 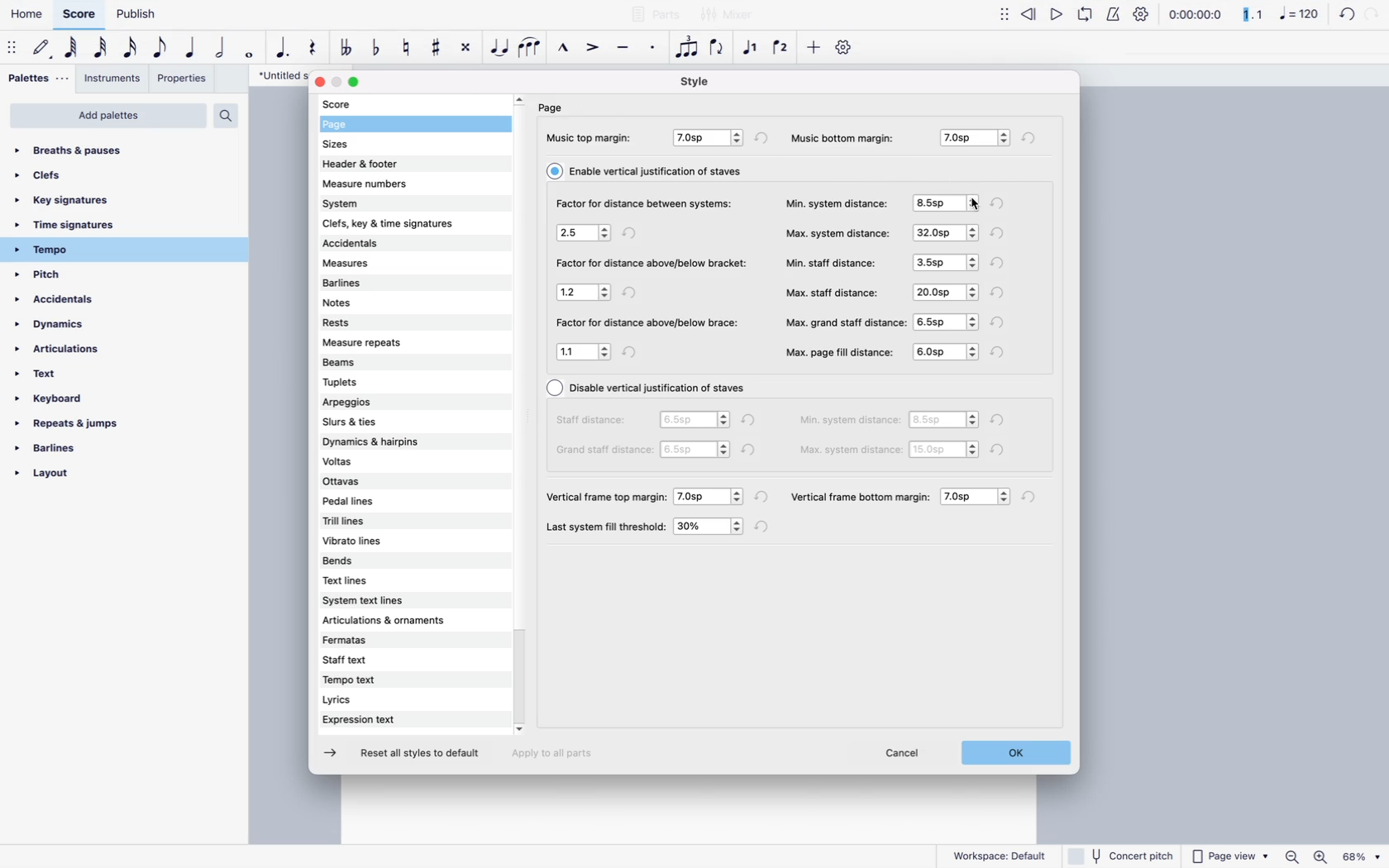 I want to click on myn. system distance, so click(x=851, y=422).